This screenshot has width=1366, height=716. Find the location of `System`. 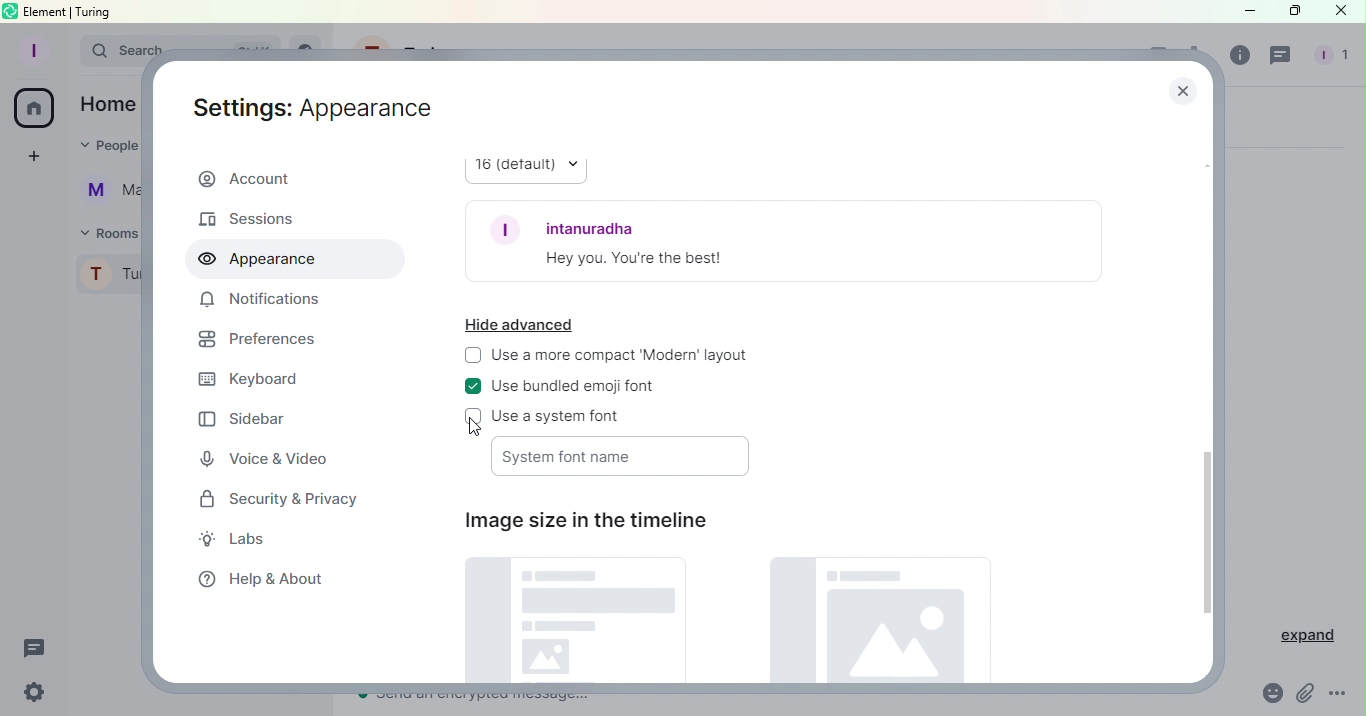

System is located at coordinates (619, 456).